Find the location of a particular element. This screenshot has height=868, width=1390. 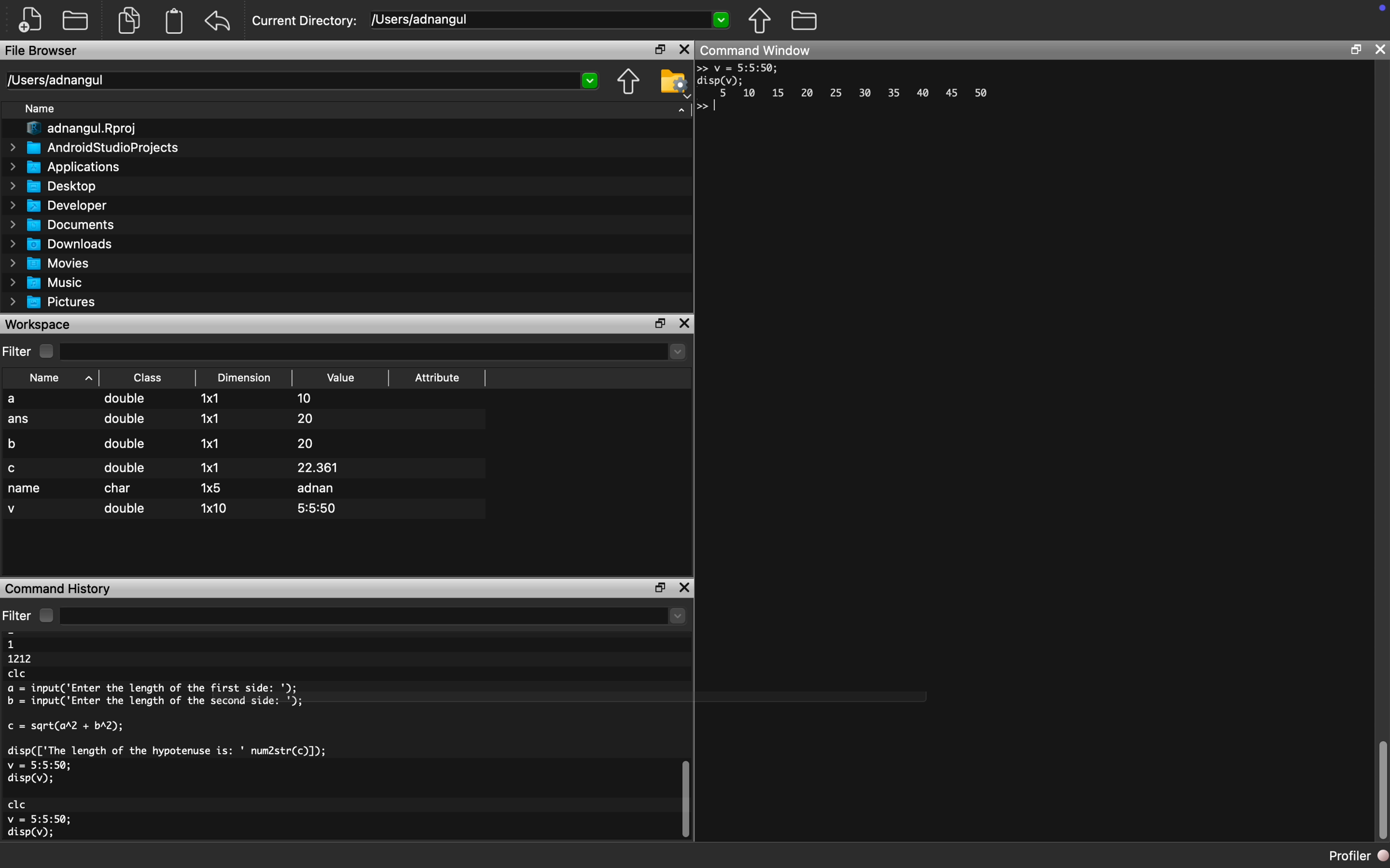

maximize is located at coordinates (1356, 48).